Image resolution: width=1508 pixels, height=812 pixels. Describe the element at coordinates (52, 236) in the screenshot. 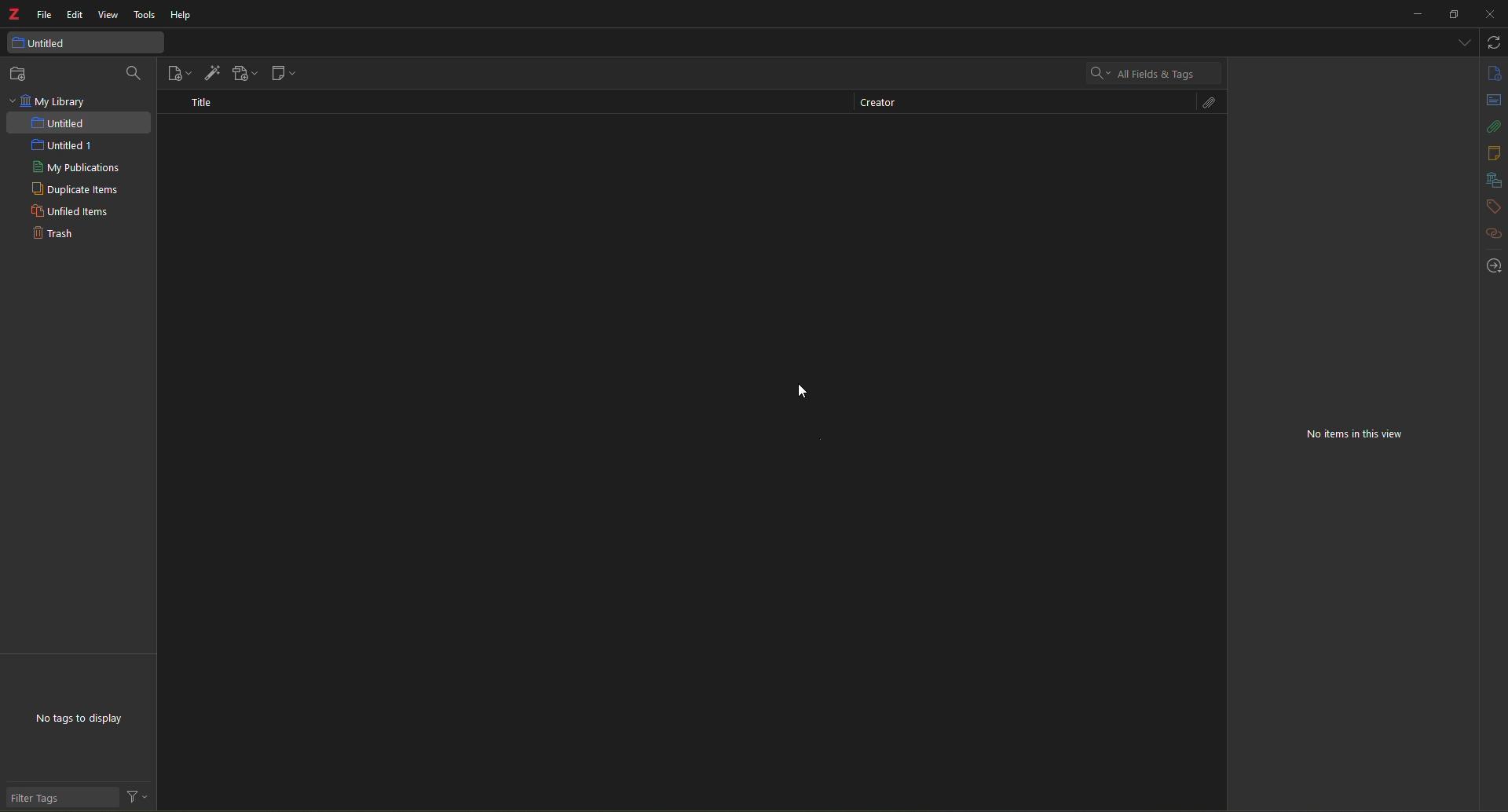

I see `trash` at that location.